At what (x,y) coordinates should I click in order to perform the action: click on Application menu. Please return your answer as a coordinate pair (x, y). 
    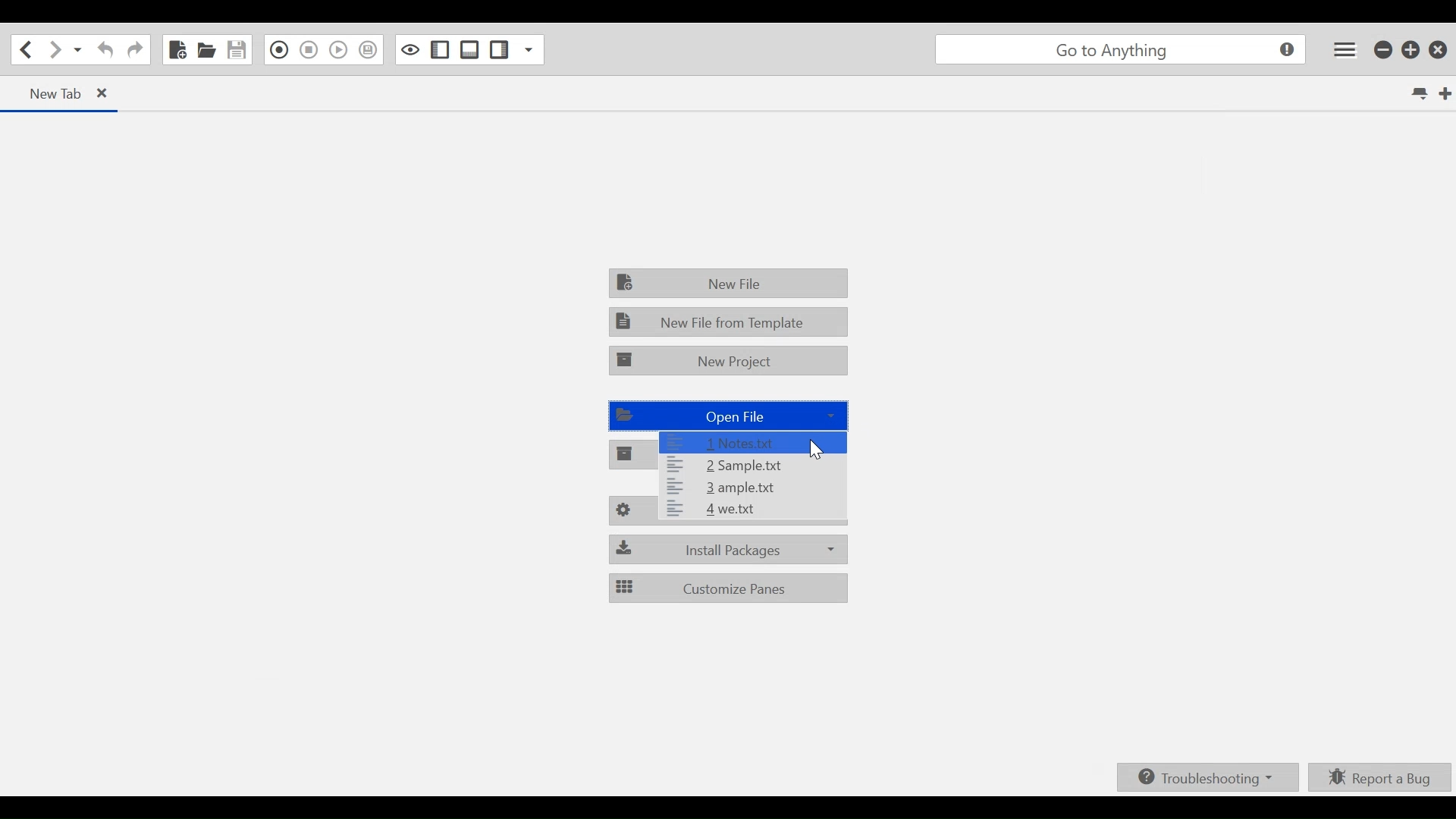
    Looking at the image, I should click on (1346, 49).